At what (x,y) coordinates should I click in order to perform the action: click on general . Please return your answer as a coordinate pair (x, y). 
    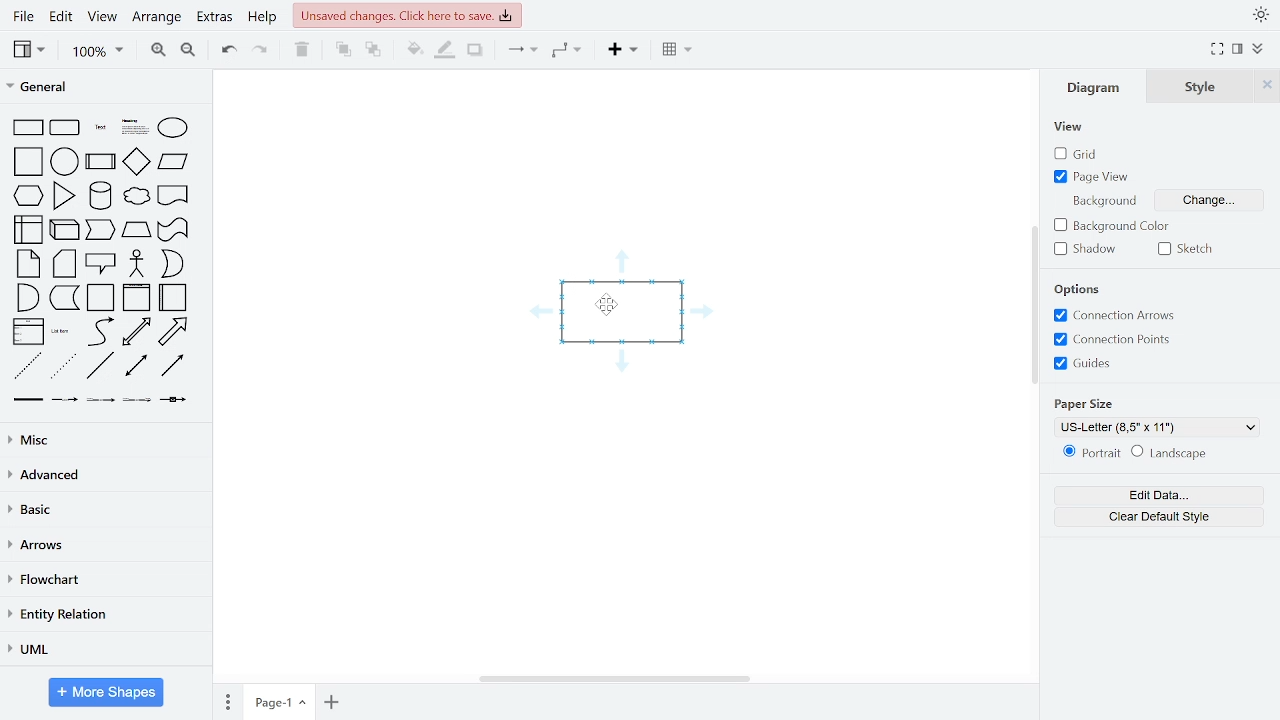
    Looking at the image, I should click on (105, 89).